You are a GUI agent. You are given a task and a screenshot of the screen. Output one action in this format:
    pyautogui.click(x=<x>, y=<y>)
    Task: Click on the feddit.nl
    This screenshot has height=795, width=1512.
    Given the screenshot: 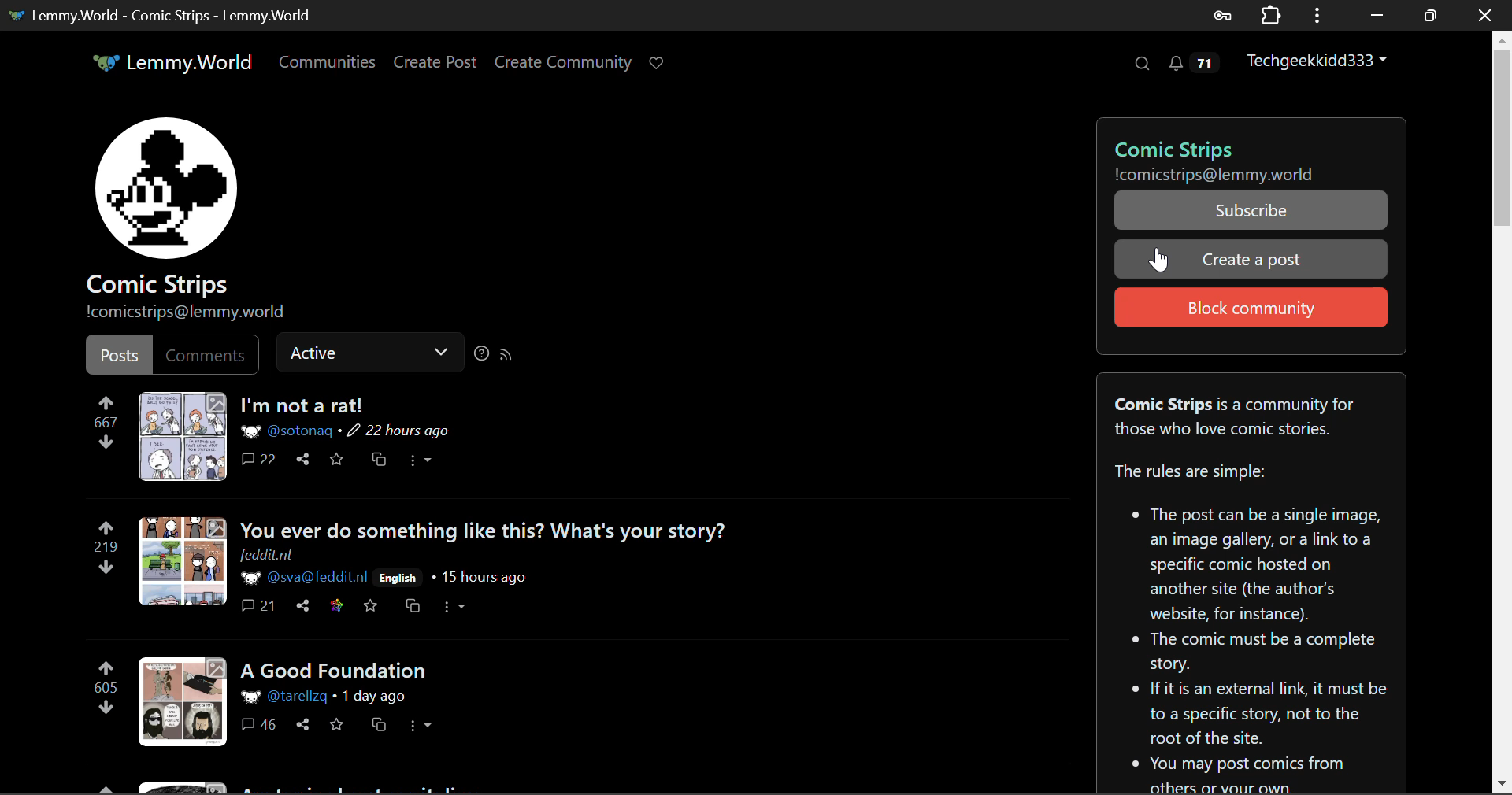 What is the action you would take?
    pyautogui.click(x=269, y=556)
    